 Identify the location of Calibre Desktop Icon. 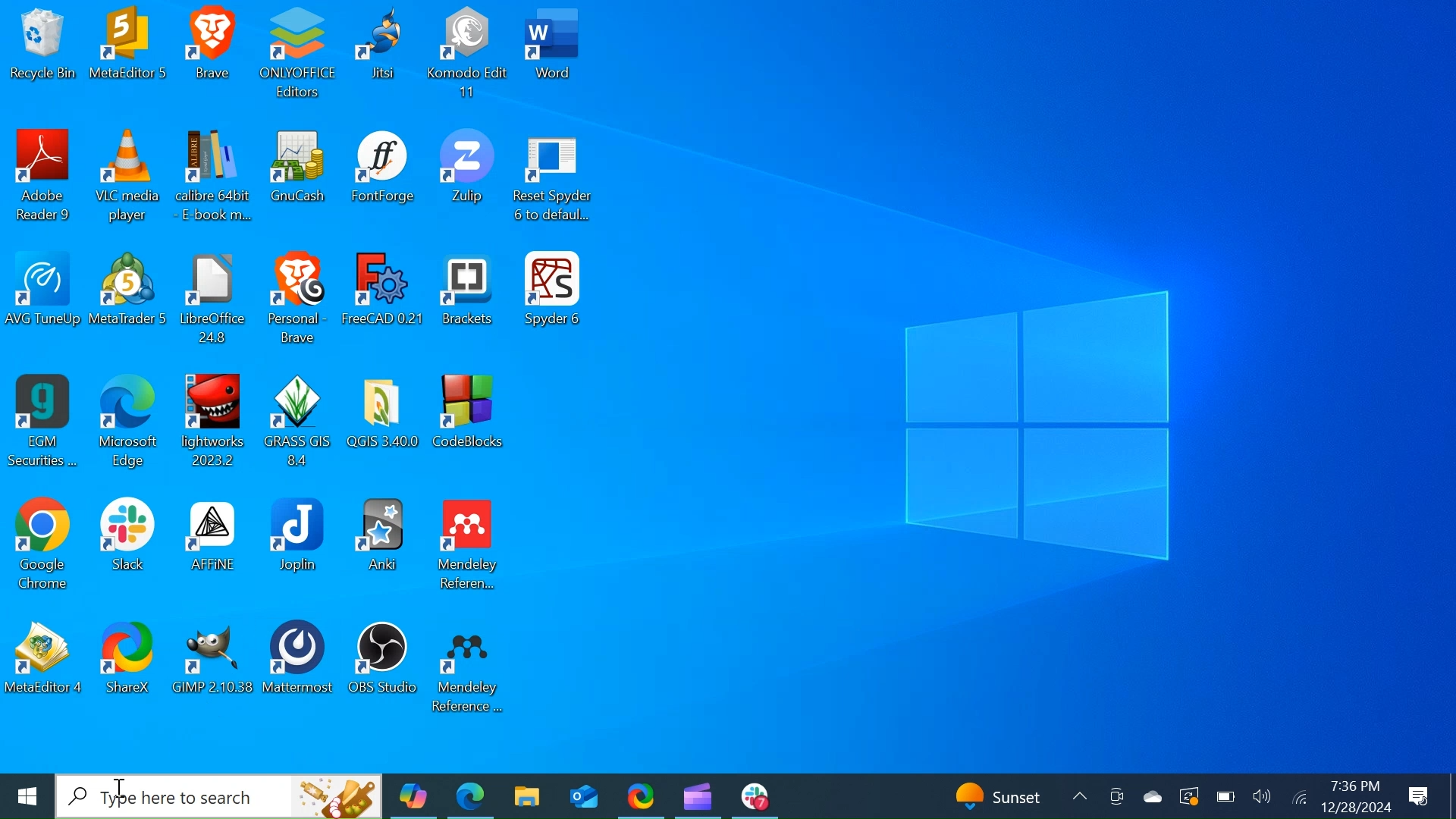
(212, 180).